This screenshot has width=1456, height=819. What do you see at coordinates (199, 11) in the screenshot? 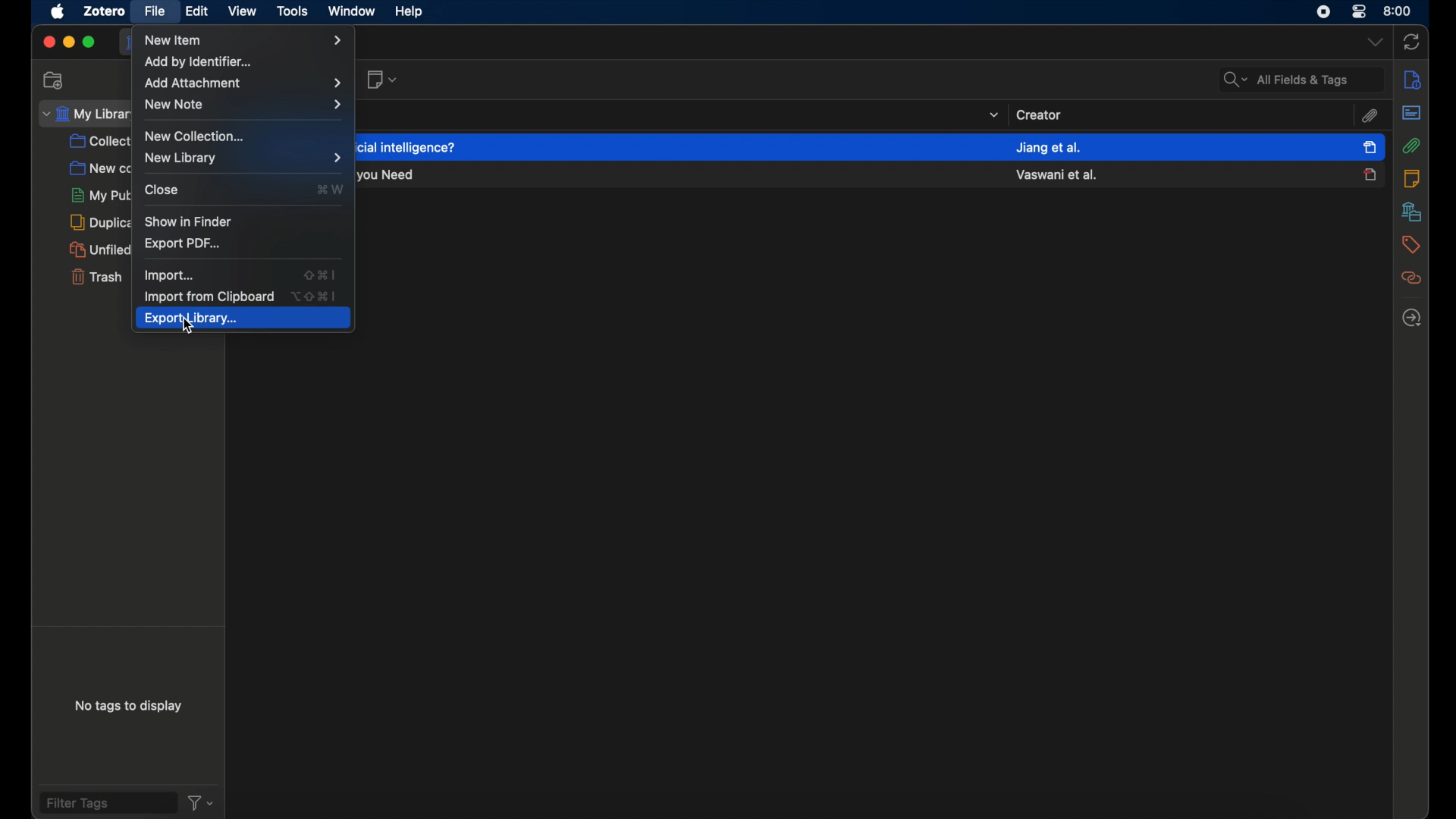
I see `edit` at bounding box center [199, 11].